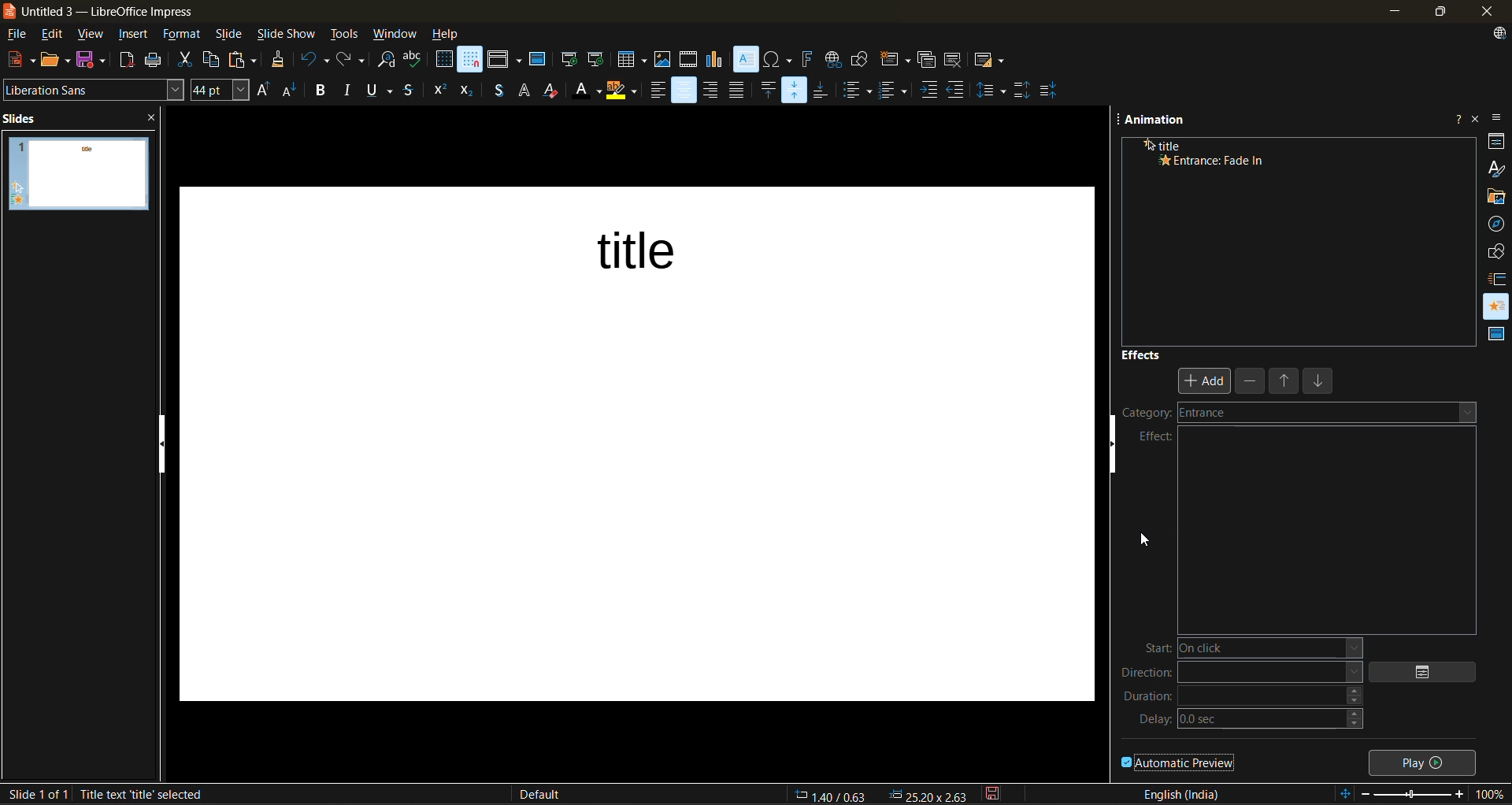  Describe the element at coordinates (1499, 119) in the screenshot. I see `sidebar settings` at that location.